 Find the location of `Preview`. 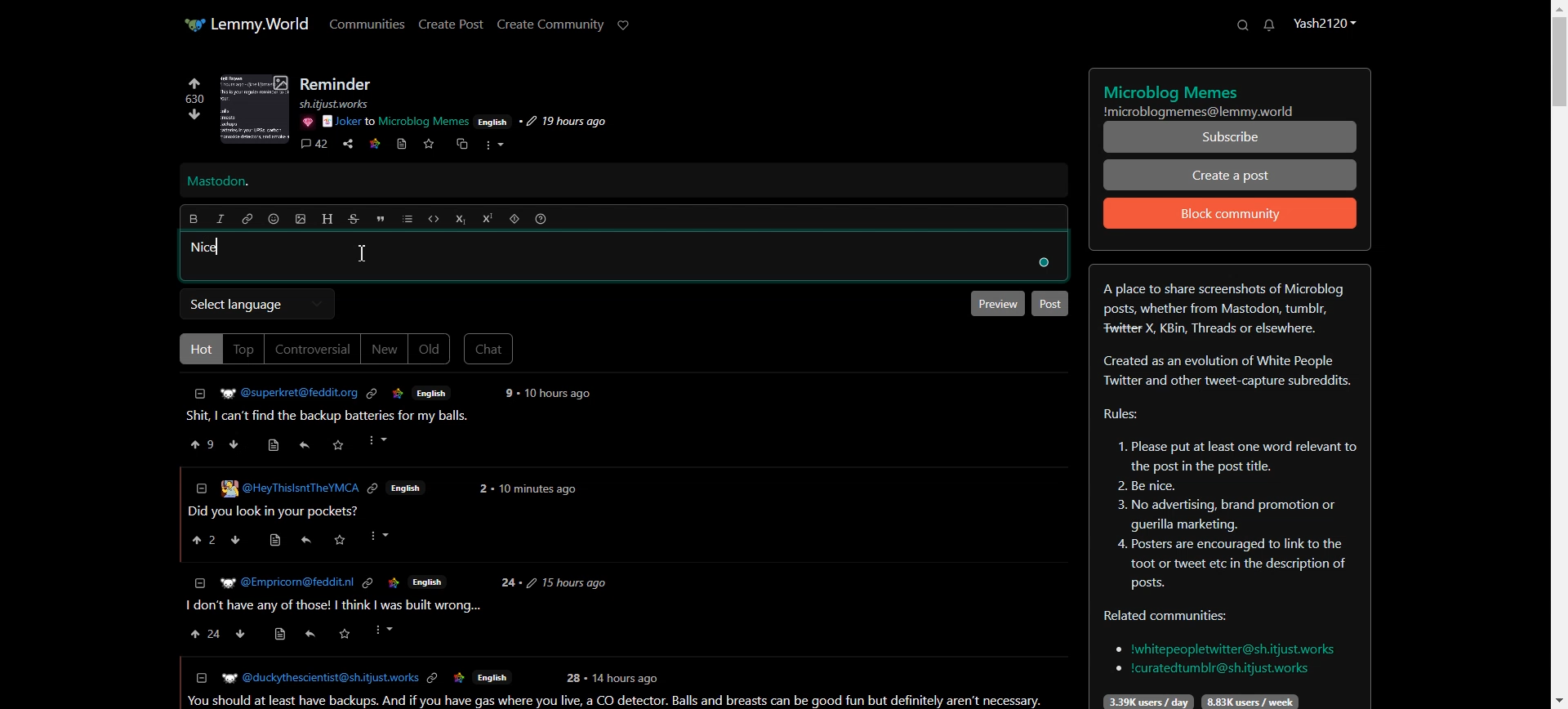

Preview is located at coordinates (996, 303).